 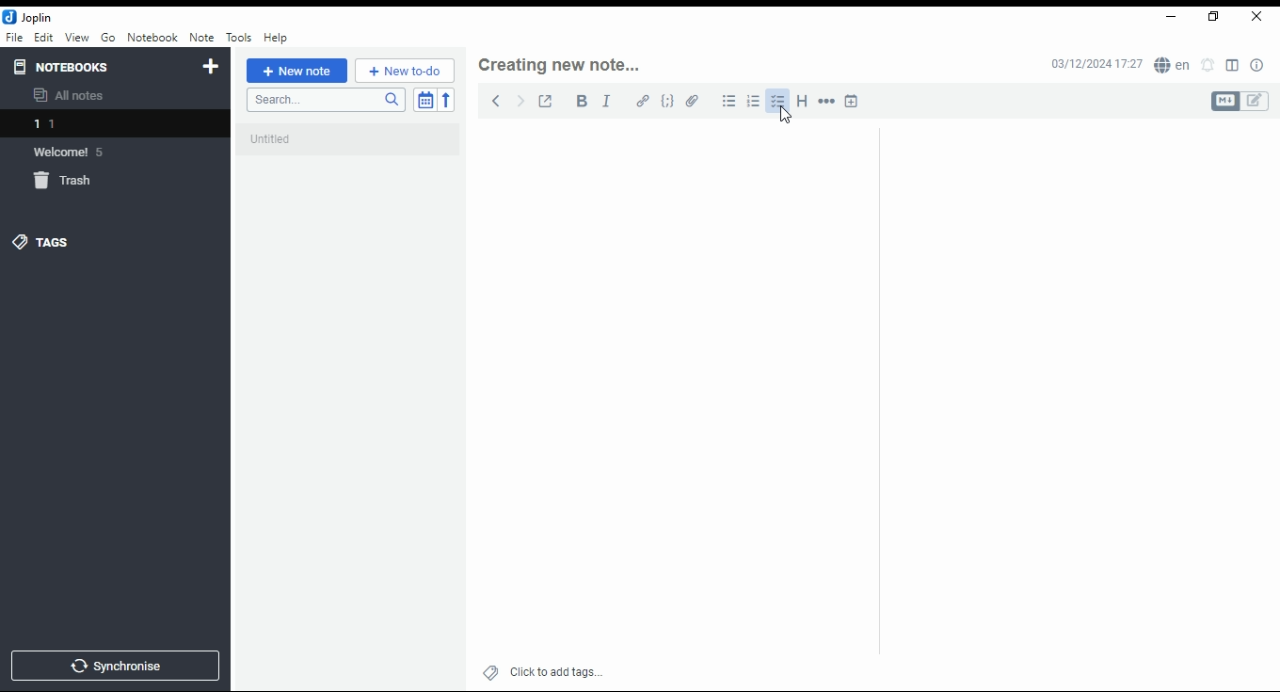 I want to click on hyperlink, so click(x=642, y=101).